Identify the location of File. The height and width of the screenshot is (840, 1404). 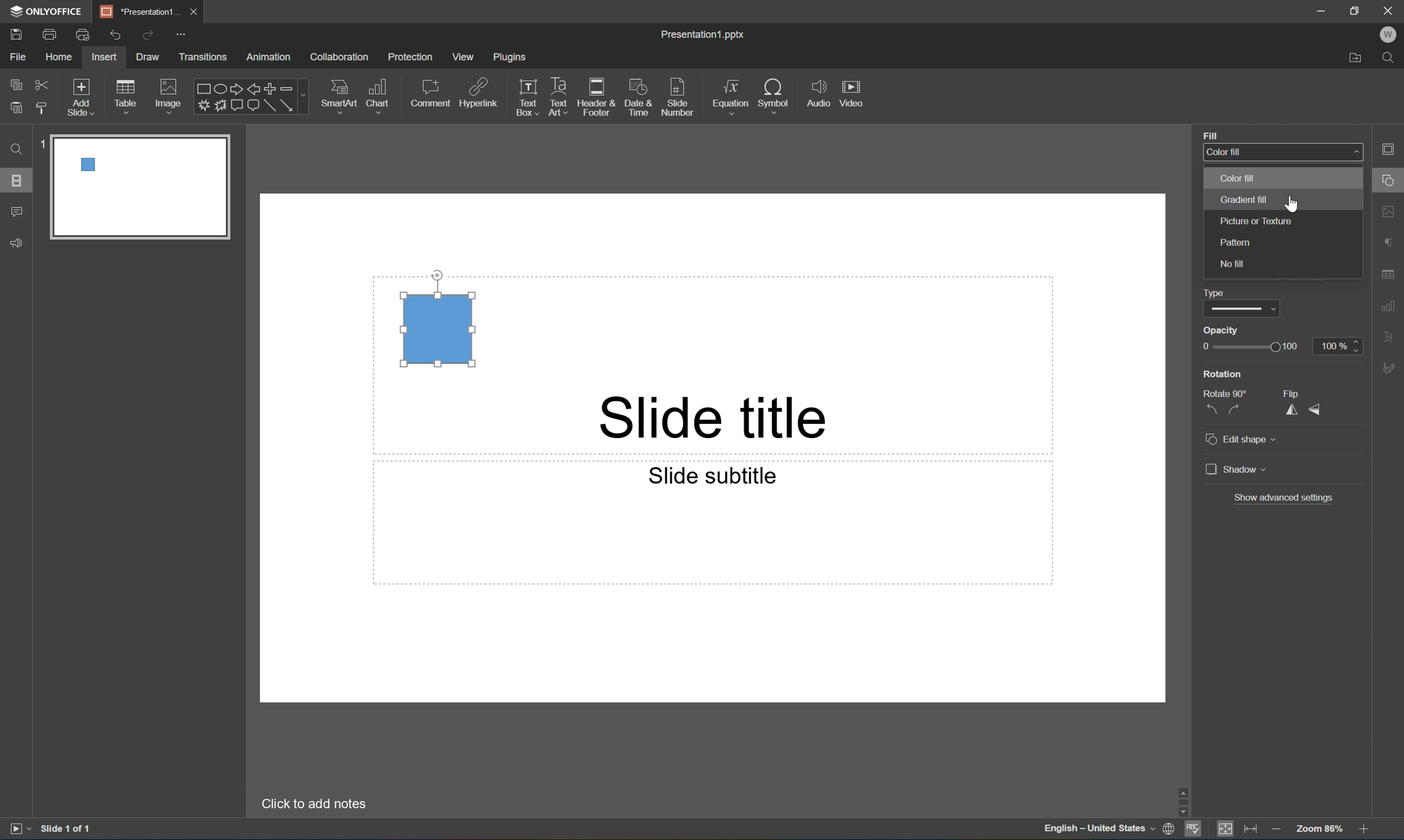
(18, 57).